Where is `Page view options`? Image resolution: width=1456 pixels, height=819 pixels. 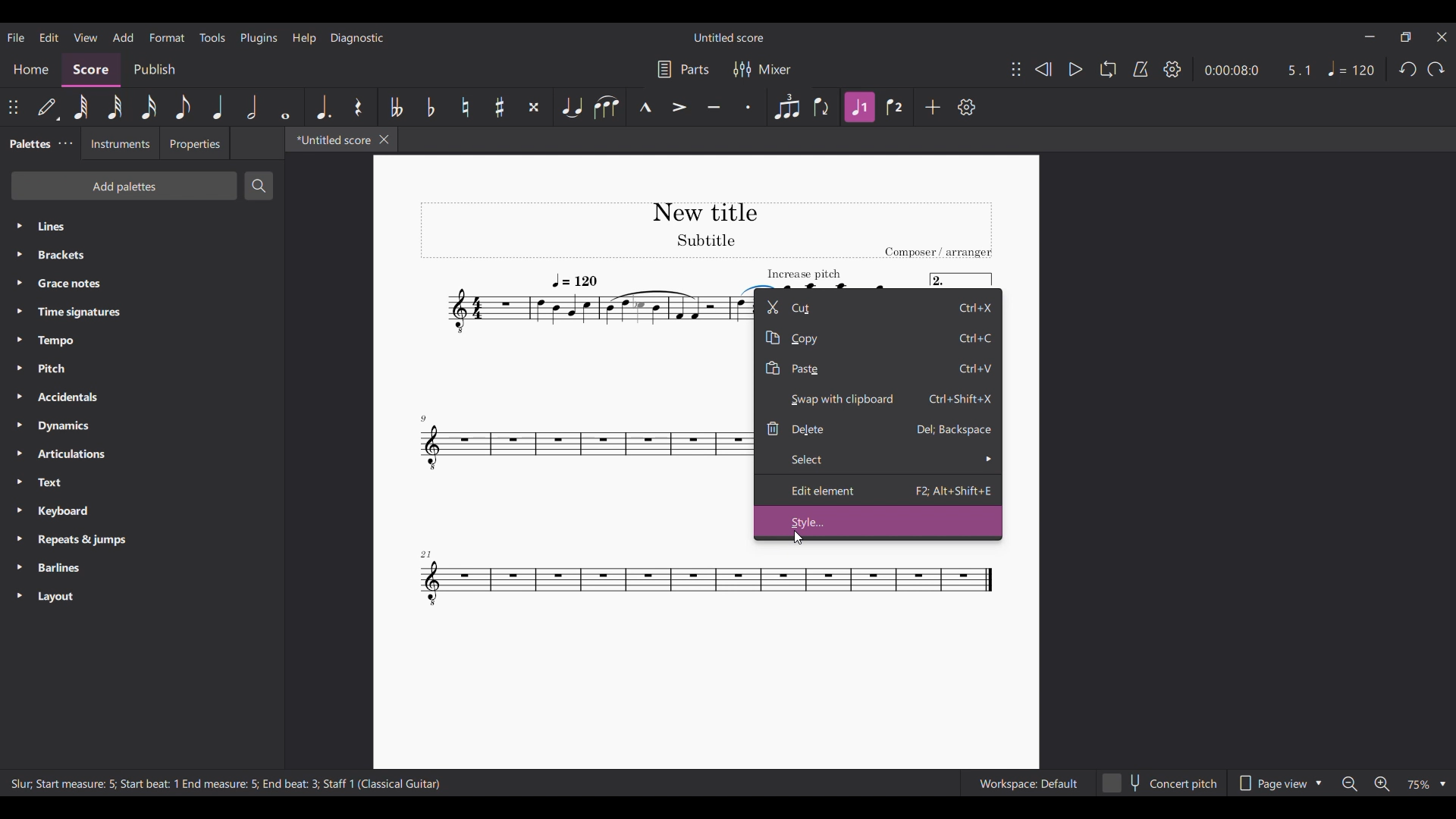 Page view options is located at coordinates (1279, 783).